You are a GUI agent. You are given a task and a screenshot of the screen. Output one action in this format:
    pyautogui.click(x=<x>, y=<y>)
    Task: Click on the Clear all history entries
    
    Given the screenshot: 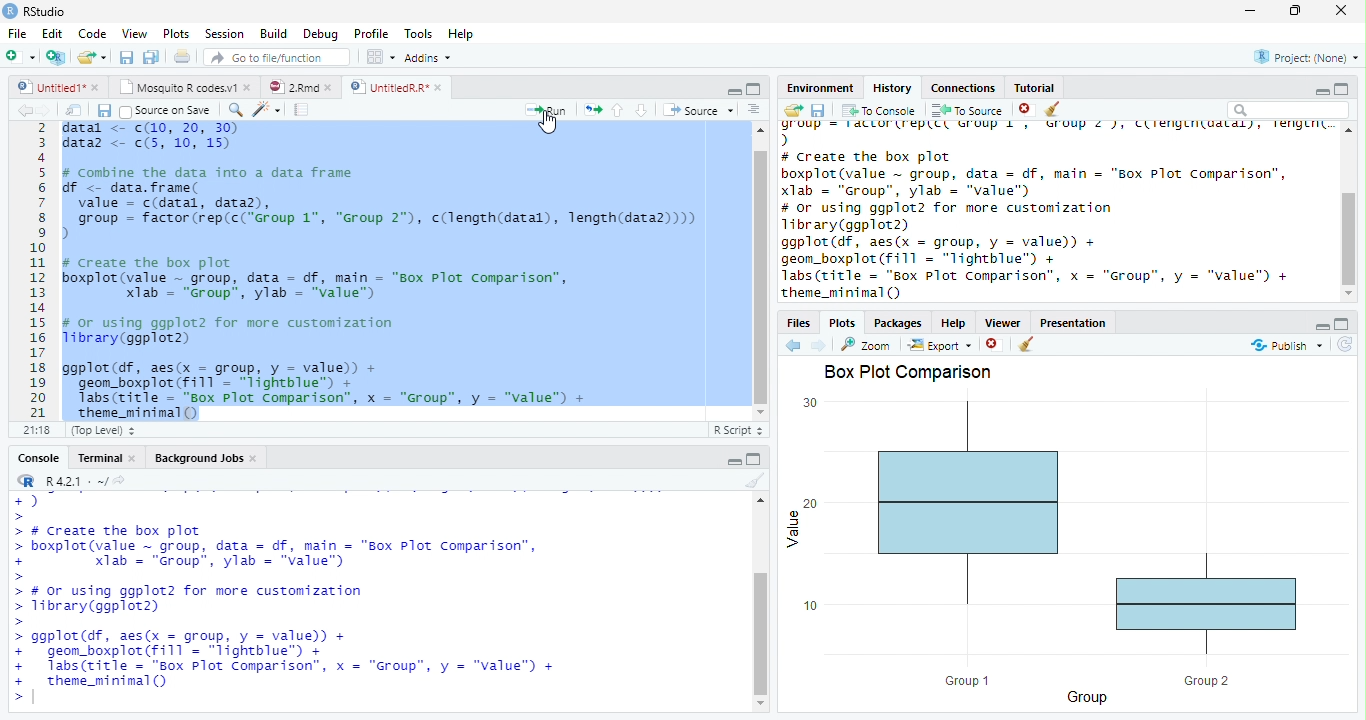 What is the action you would take?
    pyautogui.click(x=1053, y=109)
    